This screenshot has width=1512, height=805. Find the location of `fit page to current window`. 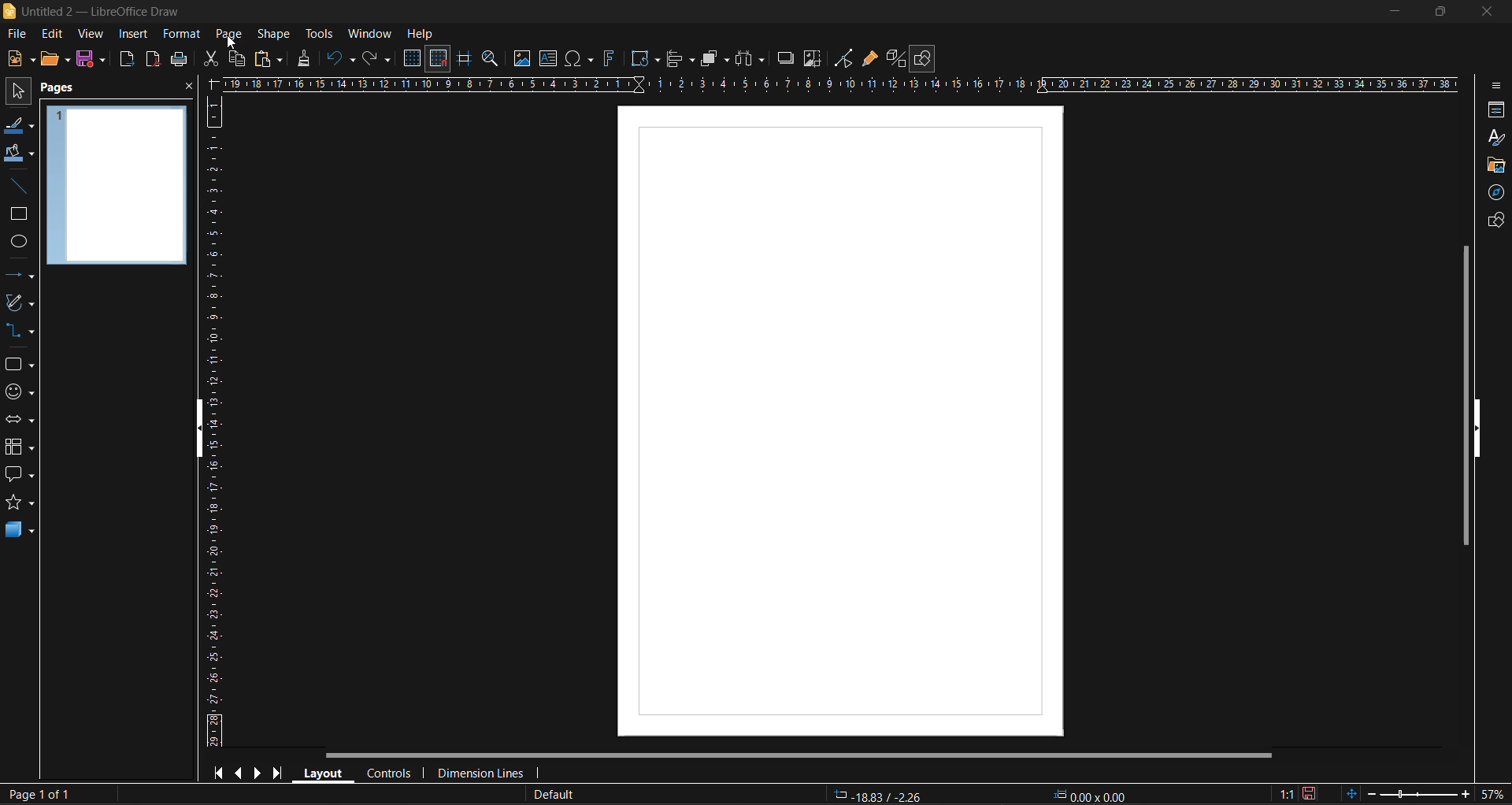

fit page to current window is located at coordinates (1351, 793).